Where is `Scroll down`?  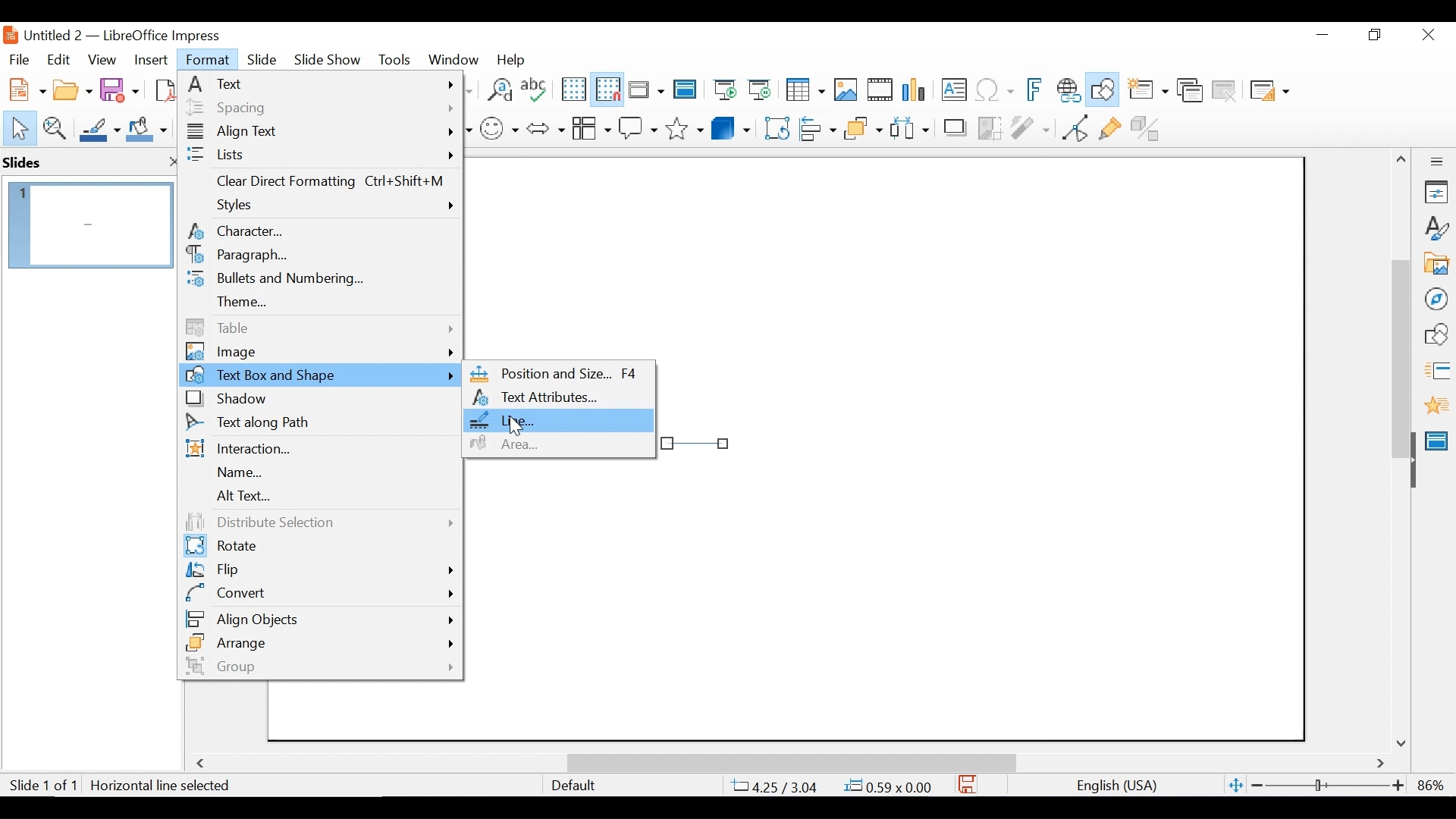 Scroll down is located at coordinates (1404, 742).